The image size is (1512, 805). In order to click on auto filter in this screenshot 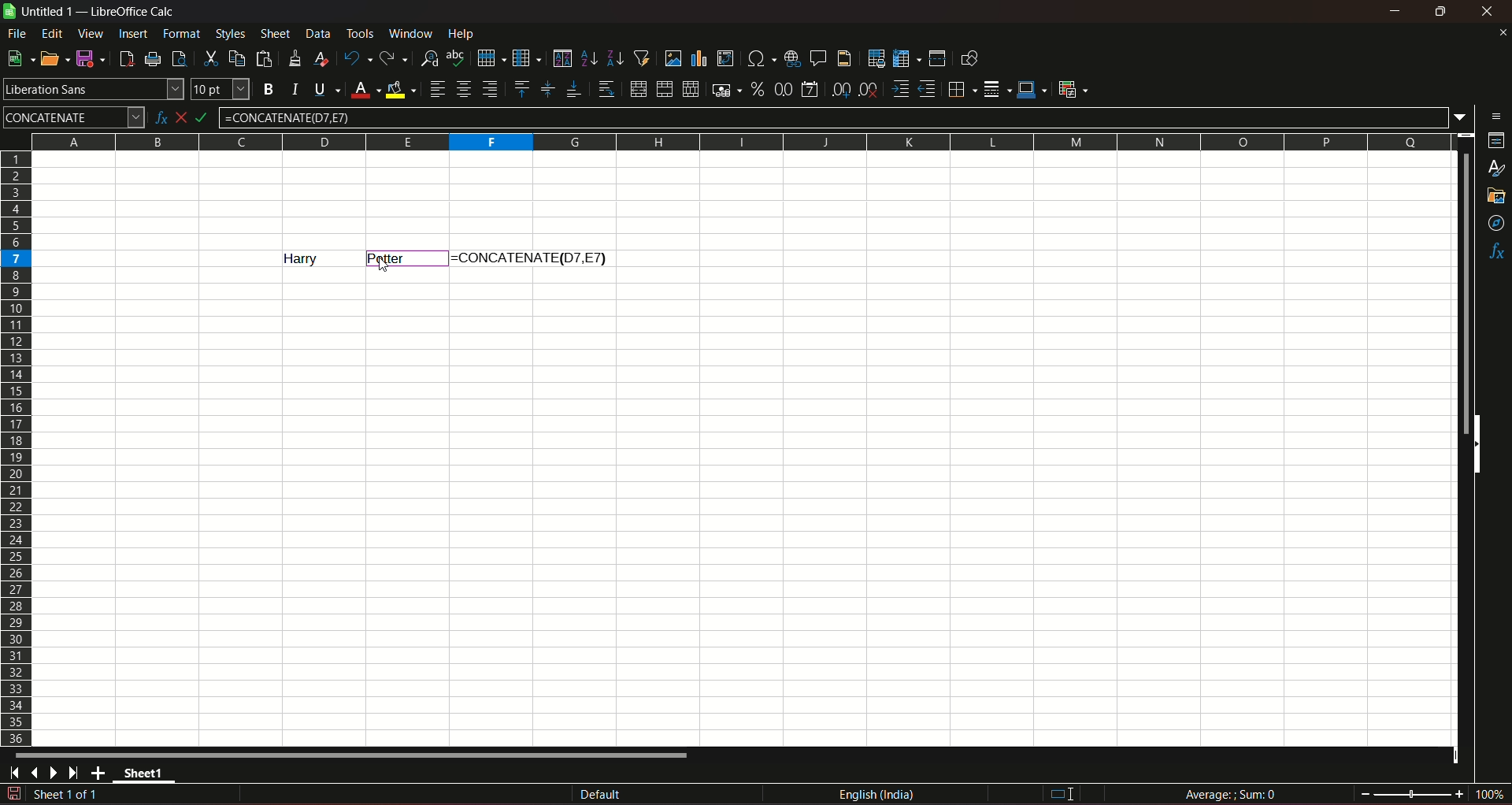, I will do `click(642, 57)`.